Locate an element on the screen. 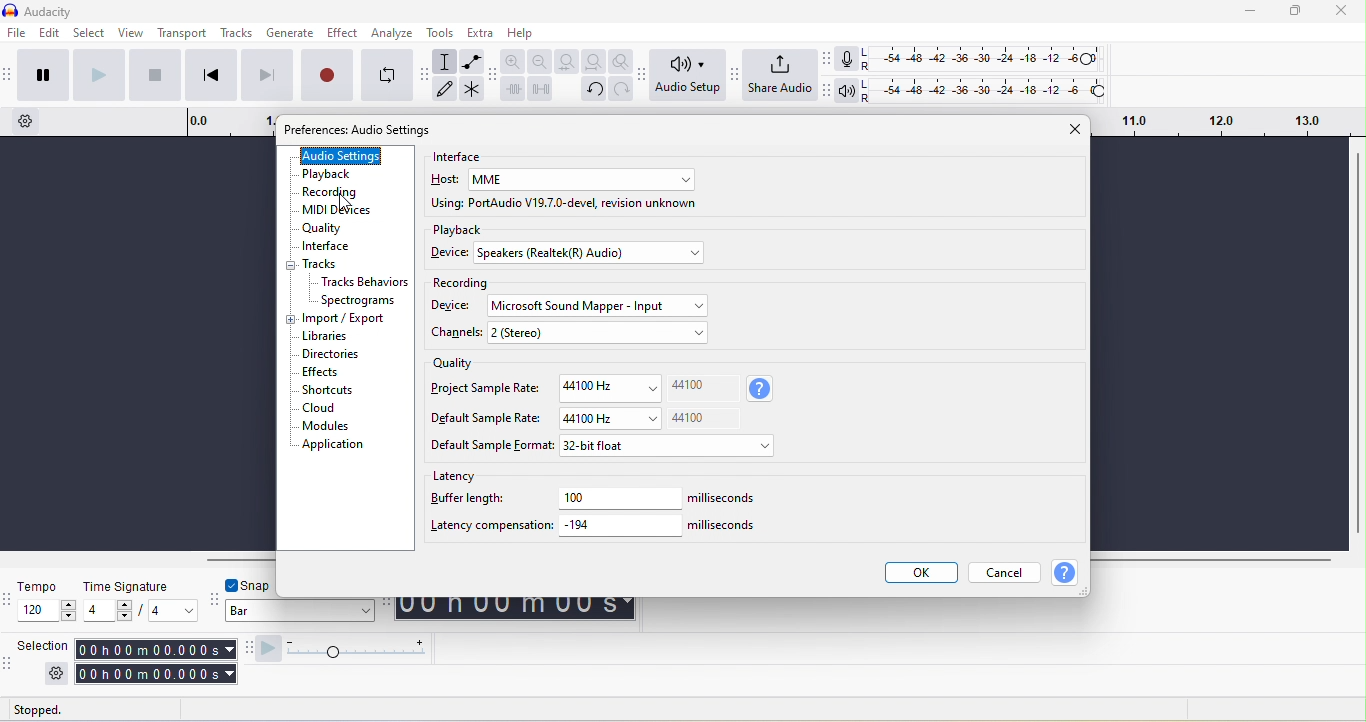 The image size is (1366, 722). maximize is located at coordinates (1290, 12).